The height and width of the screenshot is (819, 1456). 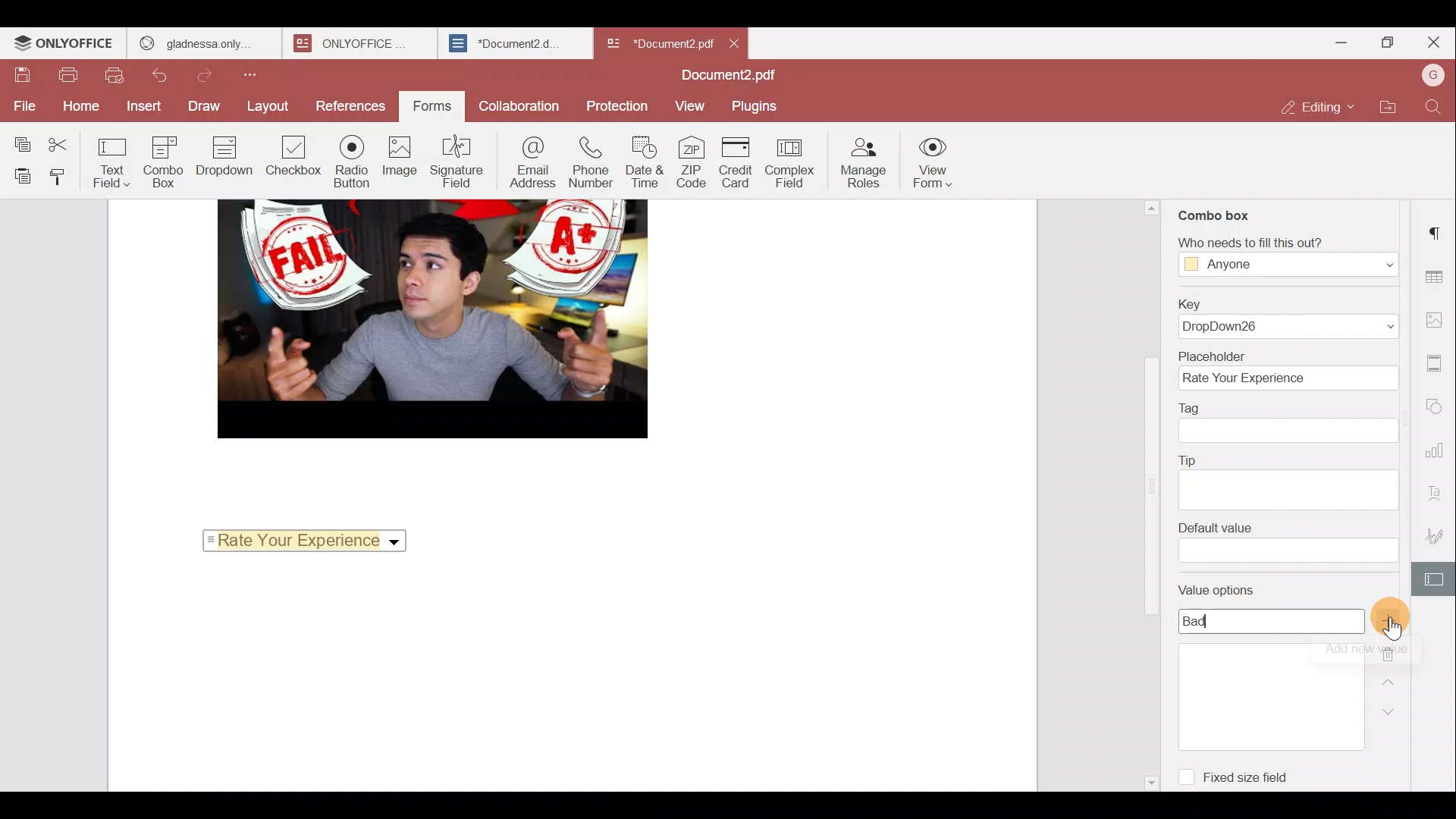 What do you see at coordinates (1391, 655) in the screenshot?
I see `Remove value` at bounding box center [1391, 655].